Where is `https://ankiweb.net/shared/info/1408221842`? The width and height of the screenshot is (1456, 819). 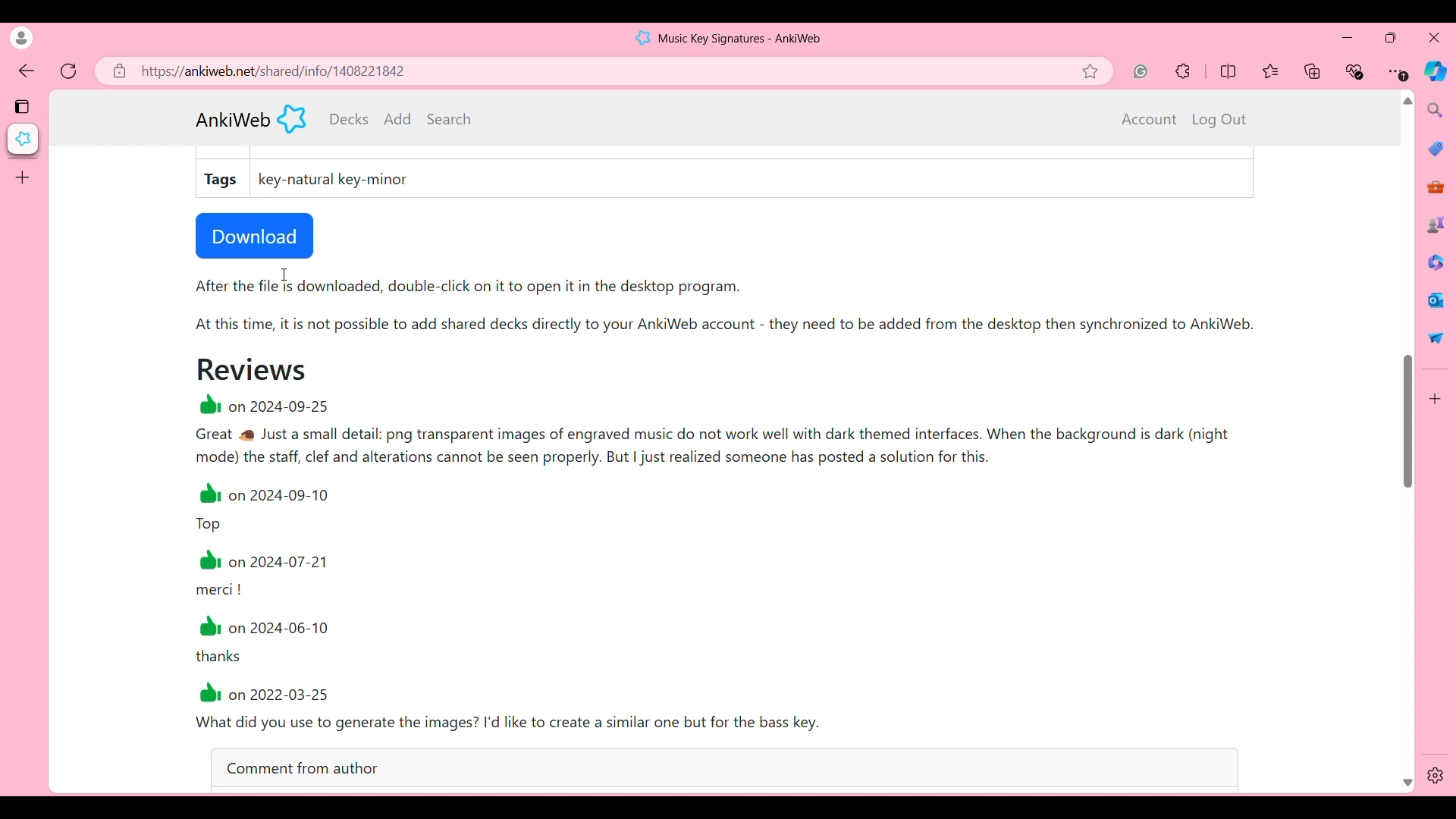 https://ankiweb.net/shared/info/1408221842 is located at coordinates (275, 71).